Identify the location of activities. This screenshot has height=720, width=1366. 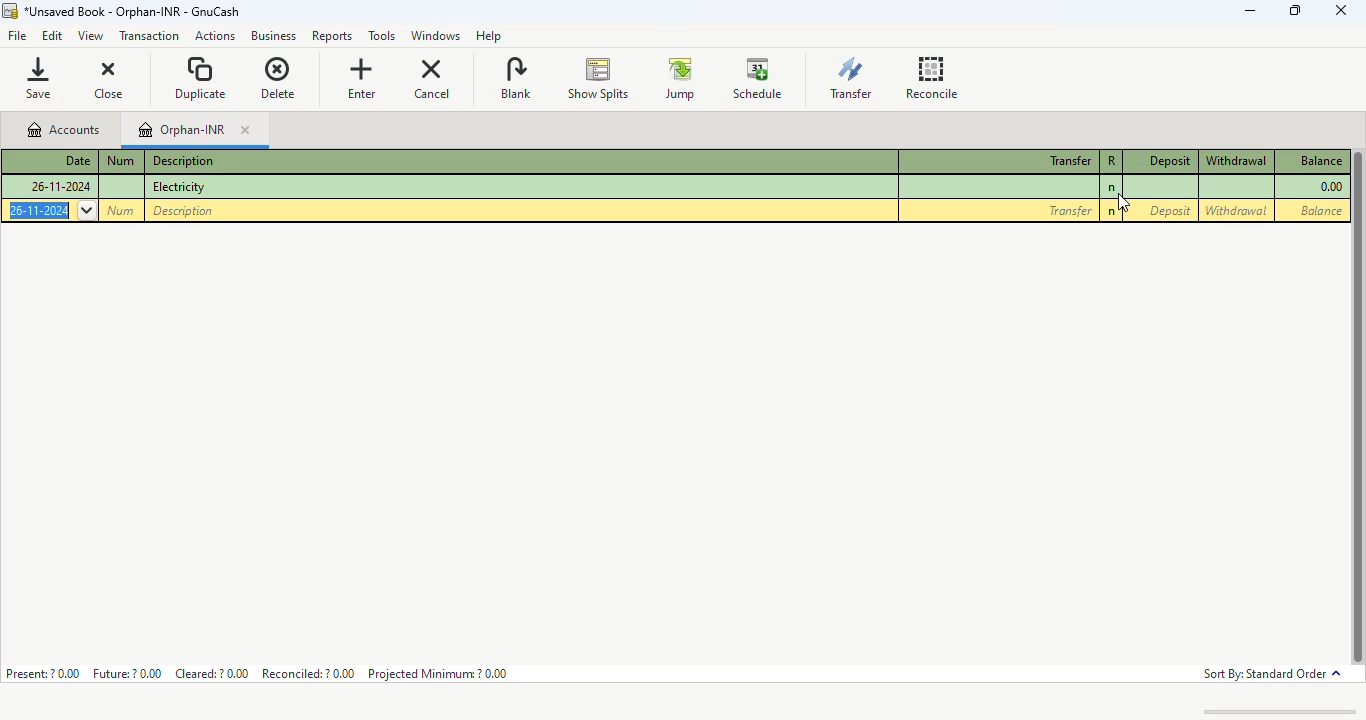
(215, 37).